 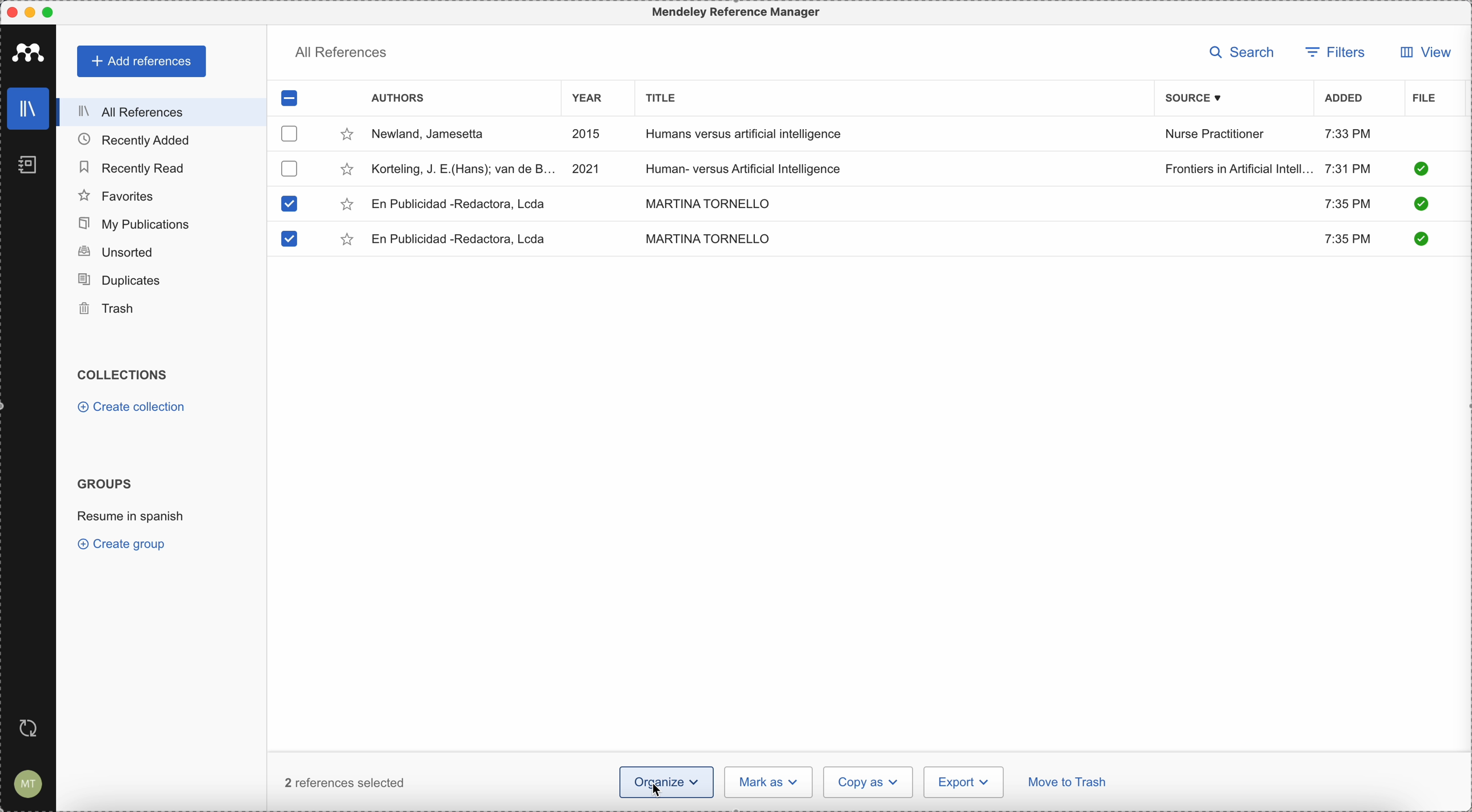 I want to click on Mendeley icon, so click(x=29, y=50).